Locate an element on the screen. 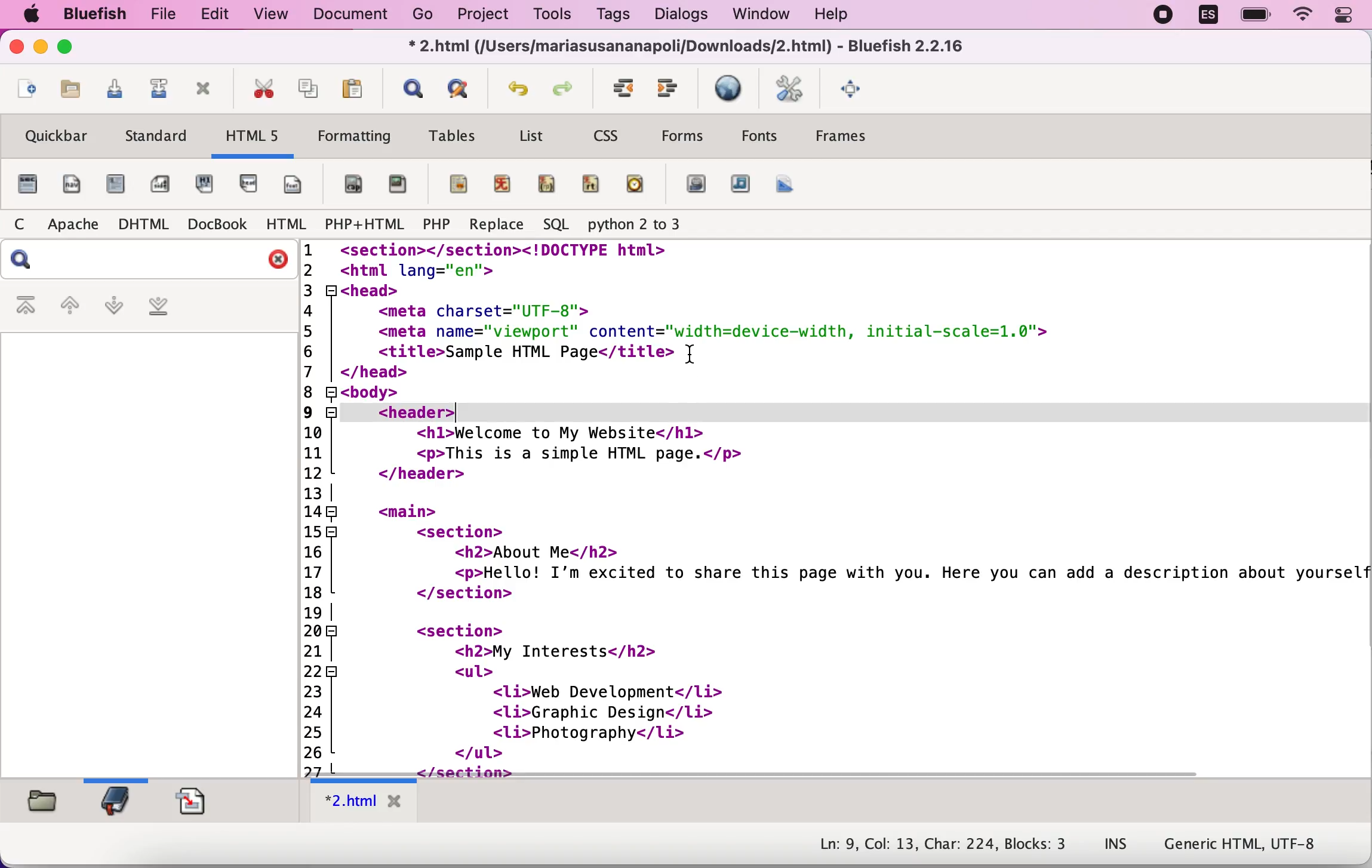 The height and width of the screenshot is (868, 1372). minimize is located at coordinates (41, 49).